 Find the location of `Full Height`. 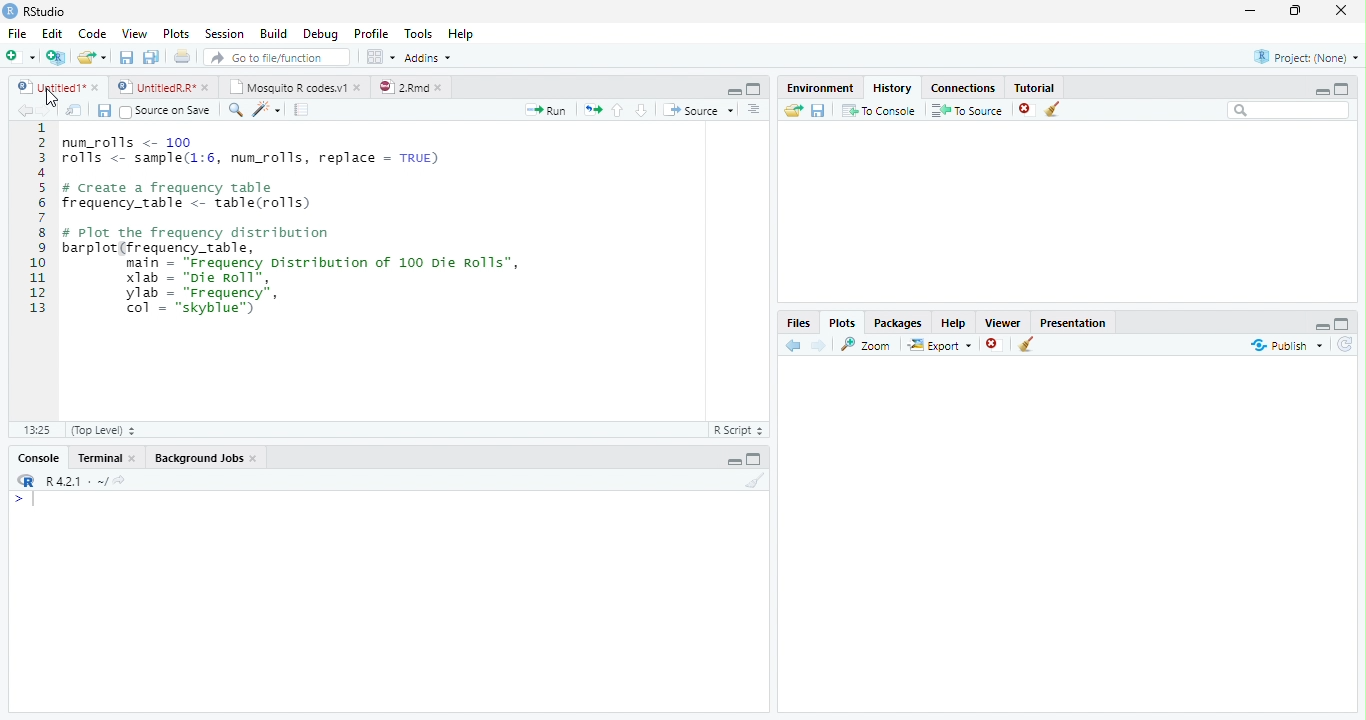

Full Height is located at coordinates (1344, 89).